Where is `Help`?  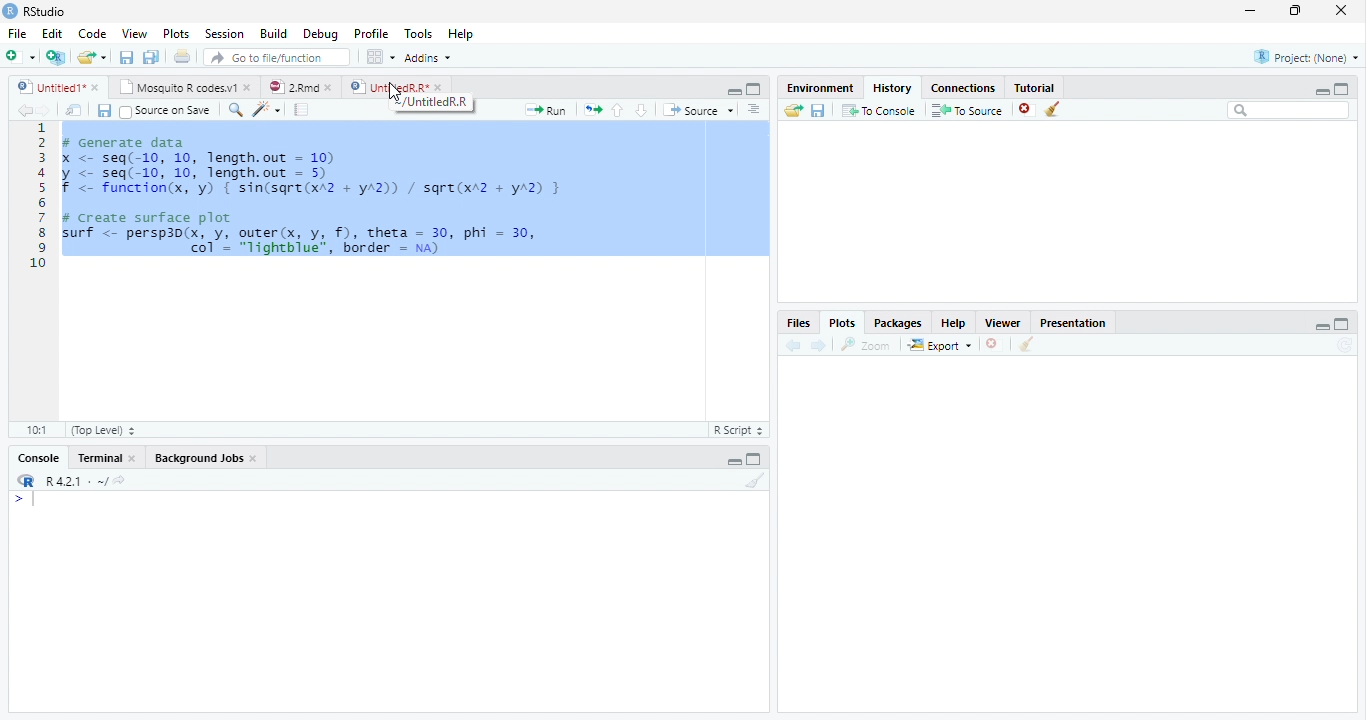 Help is located at coordinates (954, 322).